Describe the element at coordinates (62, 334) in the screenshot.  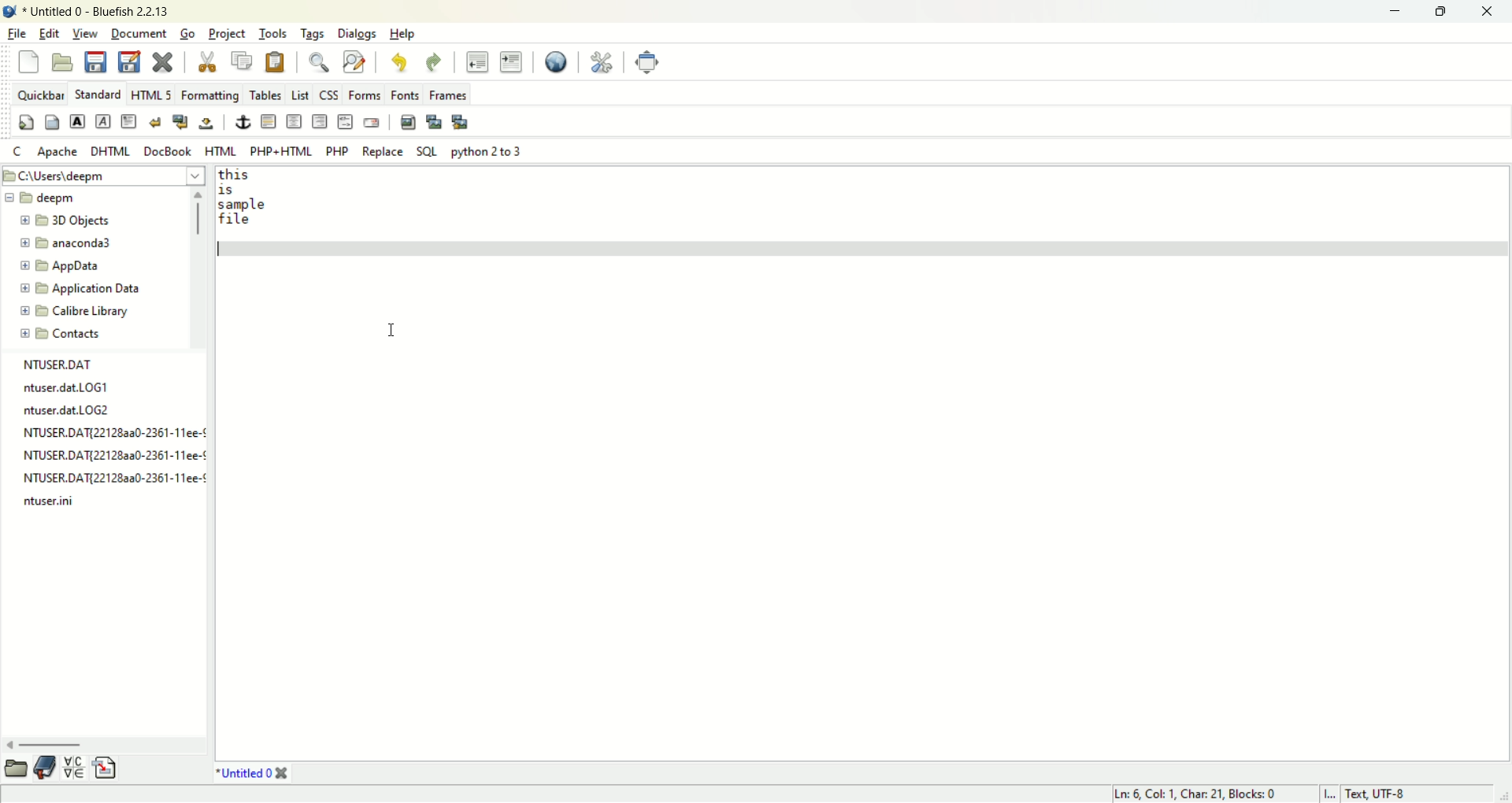
I see `contacts` at that location.